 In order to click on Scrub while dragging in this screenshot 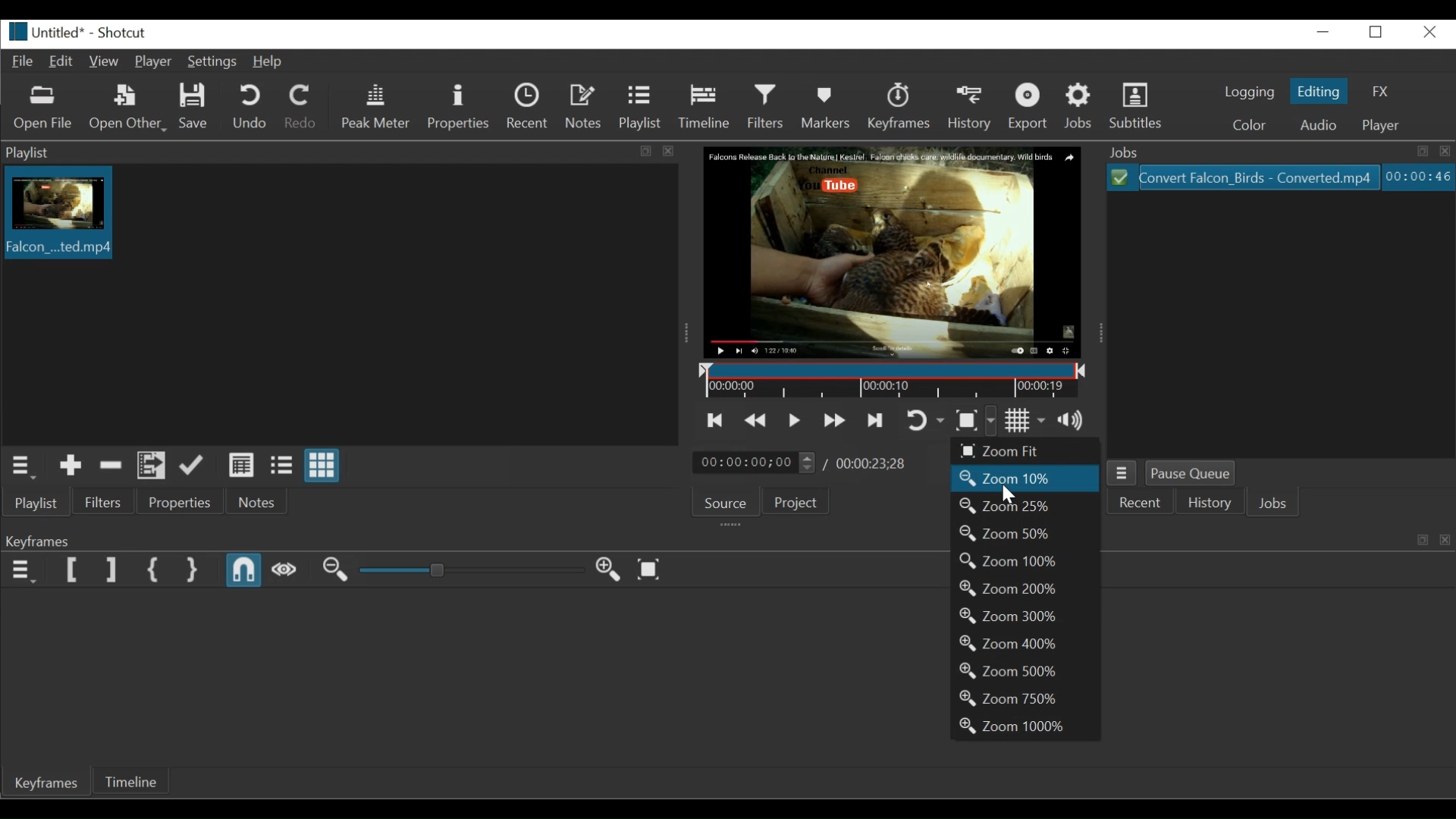, I will do `click(284, 571)`.